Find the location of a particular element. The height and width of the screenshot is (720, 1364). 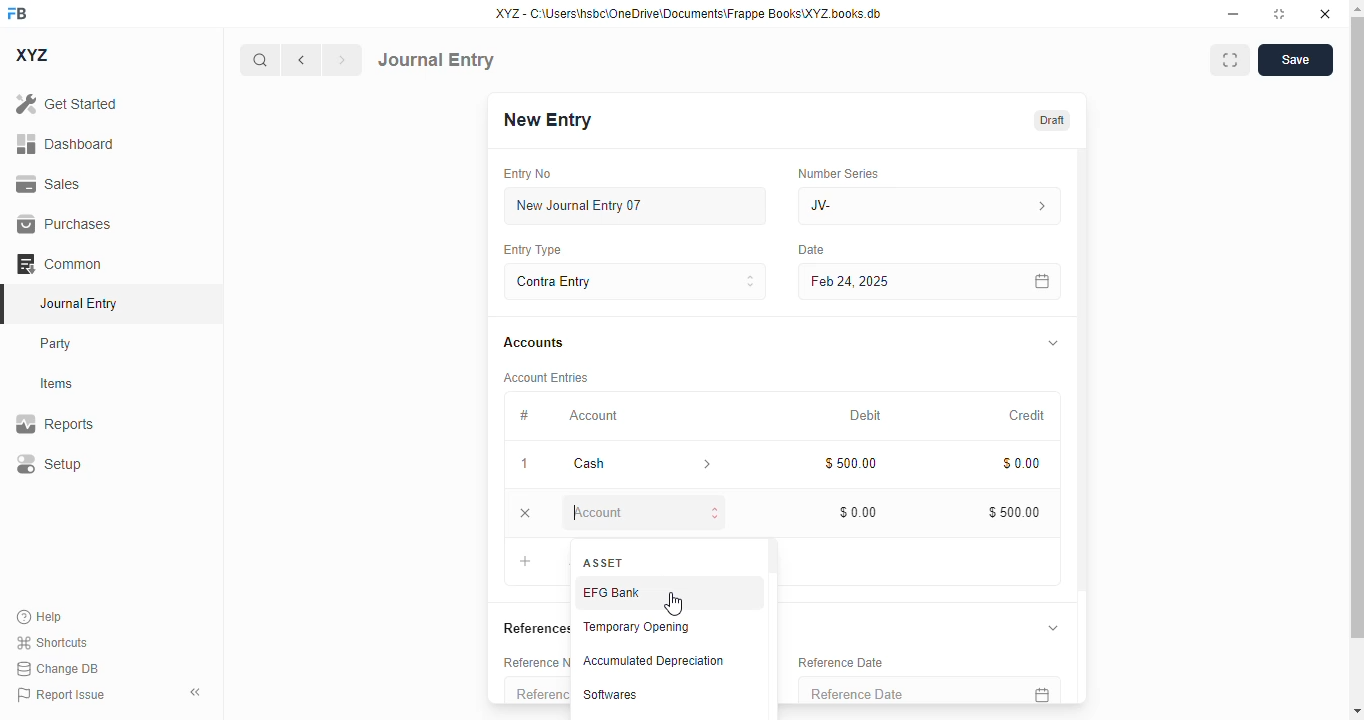

new entry is located at coordinates (547, 119).